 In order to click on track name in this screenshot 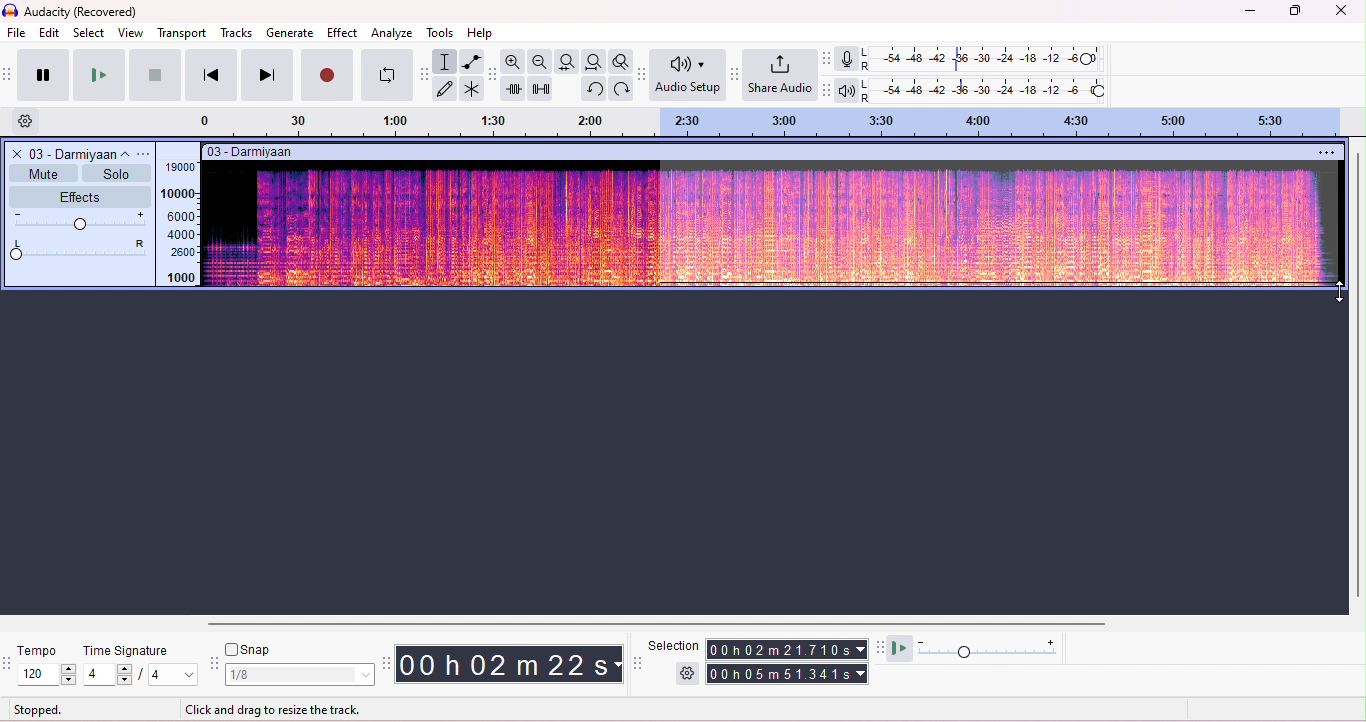, I will do `click(82, 153)`.